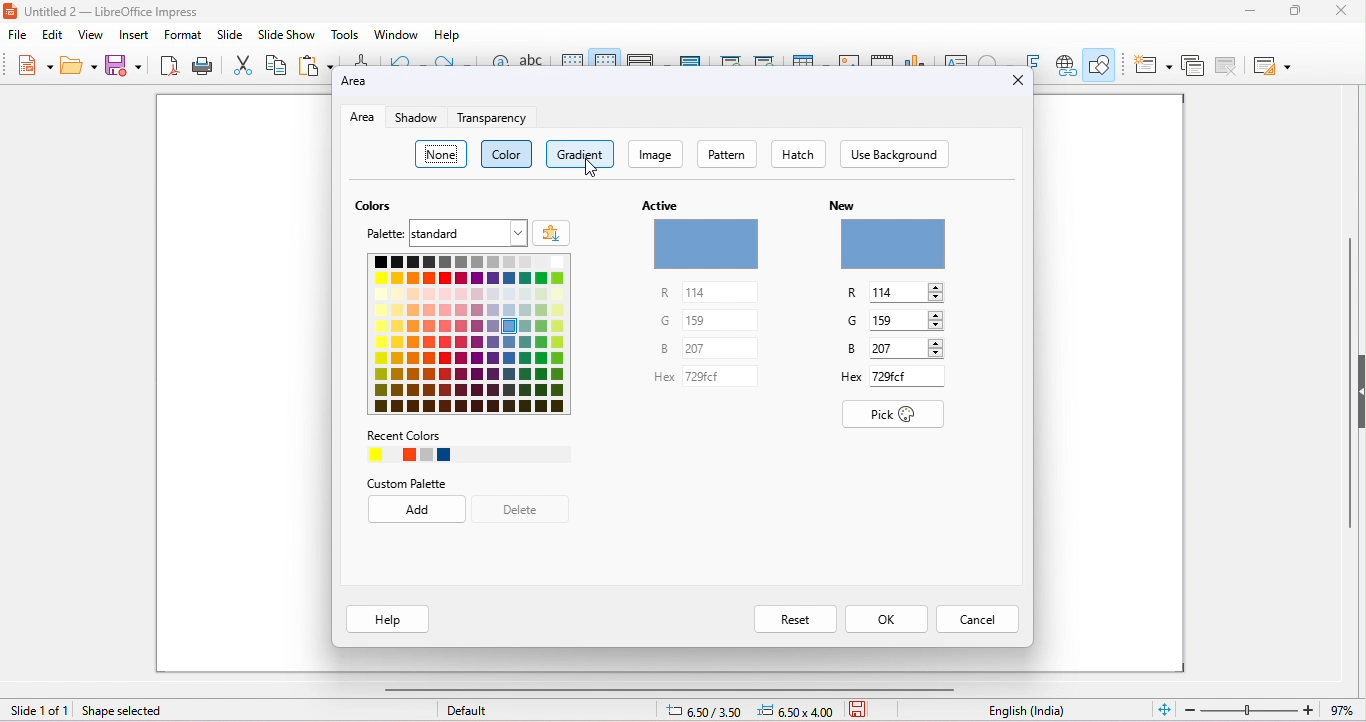 The height and width of the screenshot is (722, 1366). What do you see at coordinates (650, 381) in the screenshot?
I see `hex` at bounding box center [650, 381].